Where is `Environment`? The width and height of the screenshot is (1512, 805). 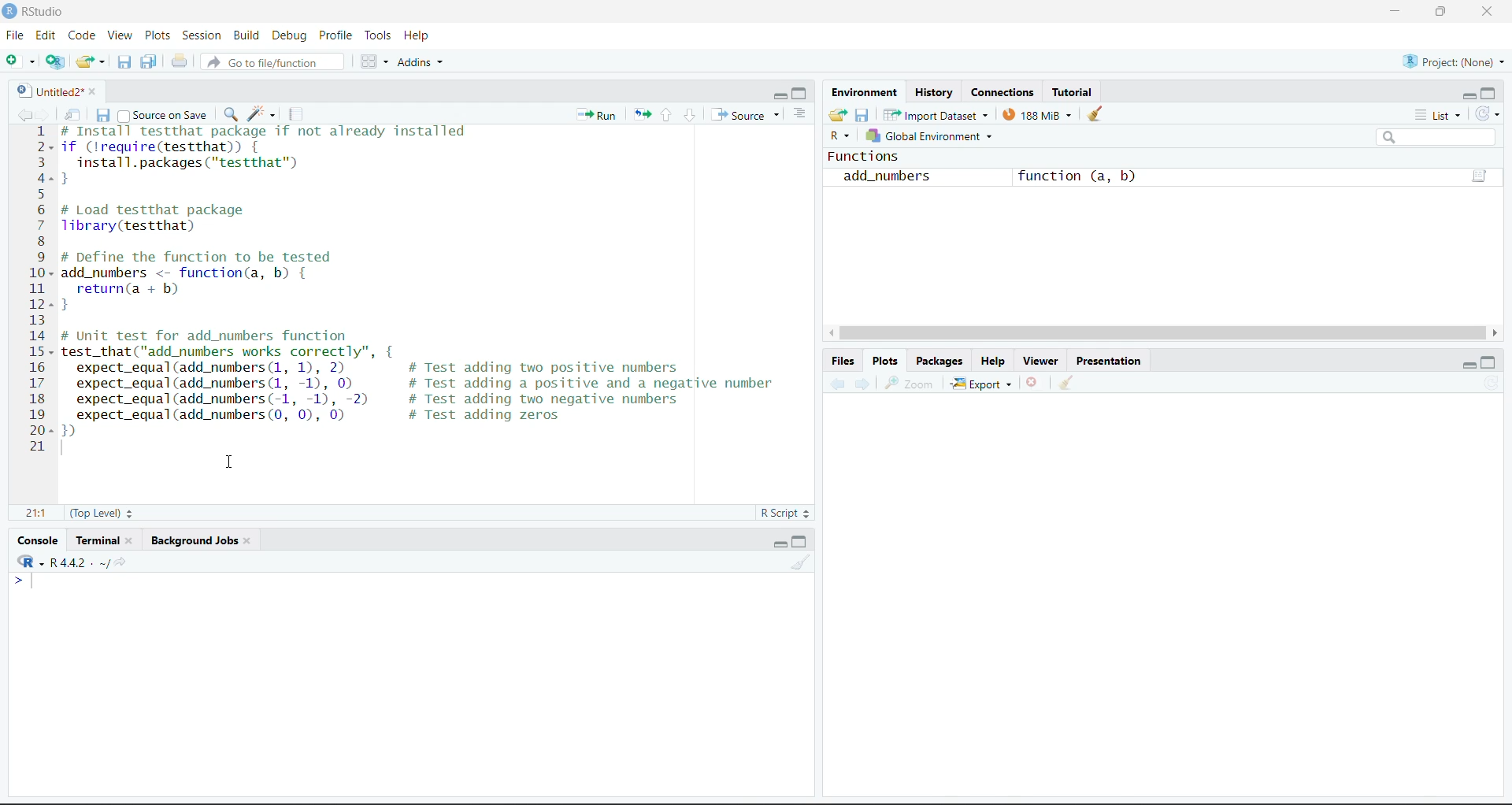
Environment is located at coordinates (864, 91).